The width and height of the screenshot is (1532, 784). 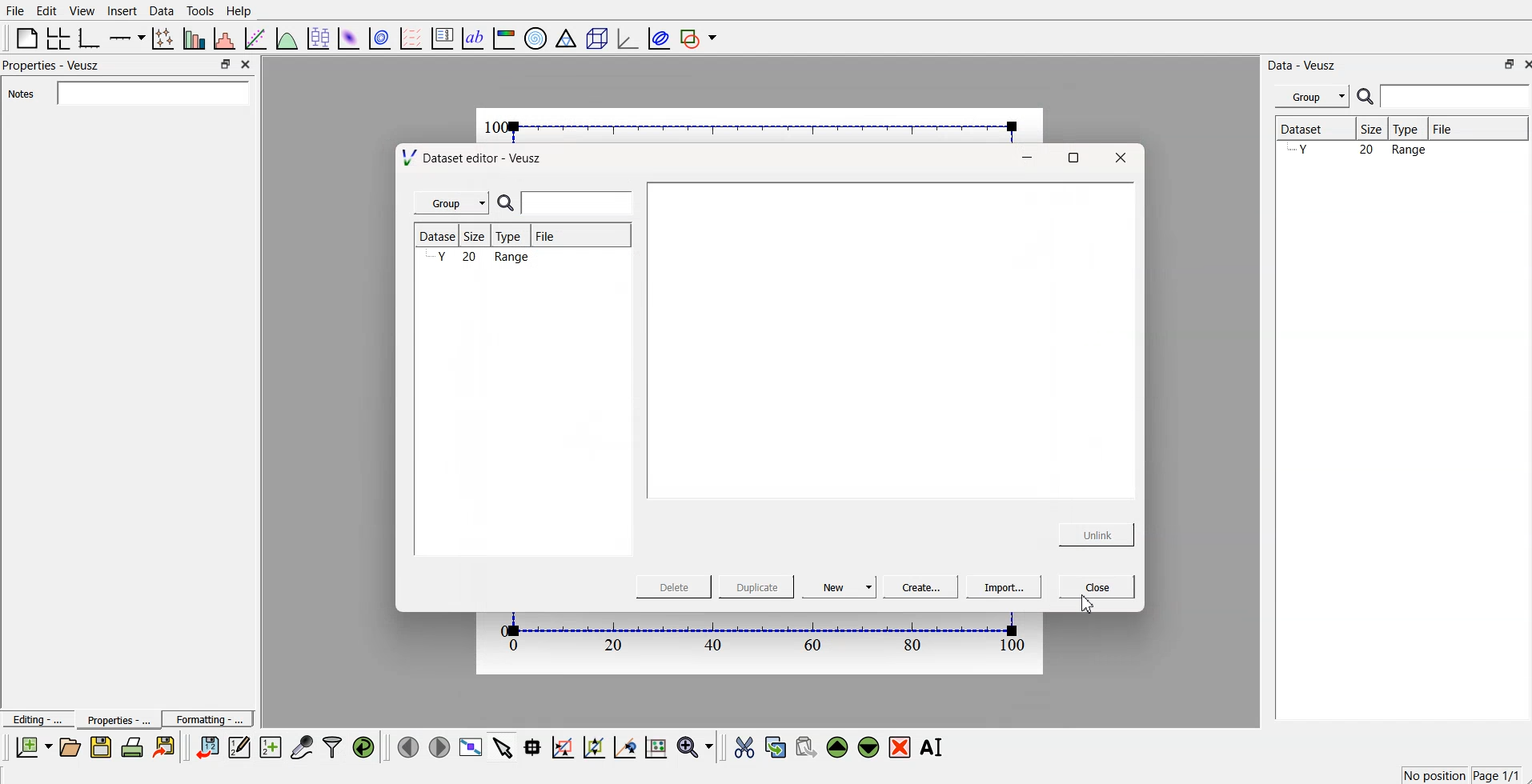 What do you see at coordinates (1308, 64) in the screenshot?
I see `Data - Veusz` at bounding box center [1308, 64].